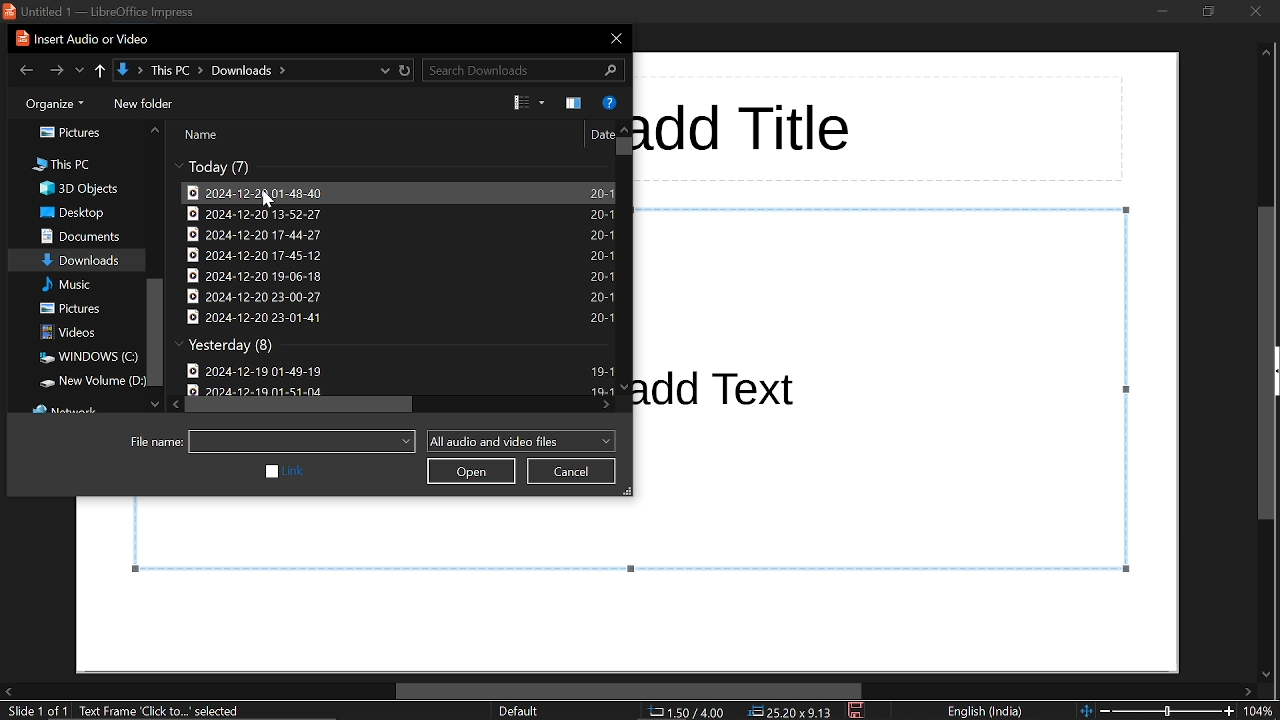  I want to click on open, so click(472, 472).